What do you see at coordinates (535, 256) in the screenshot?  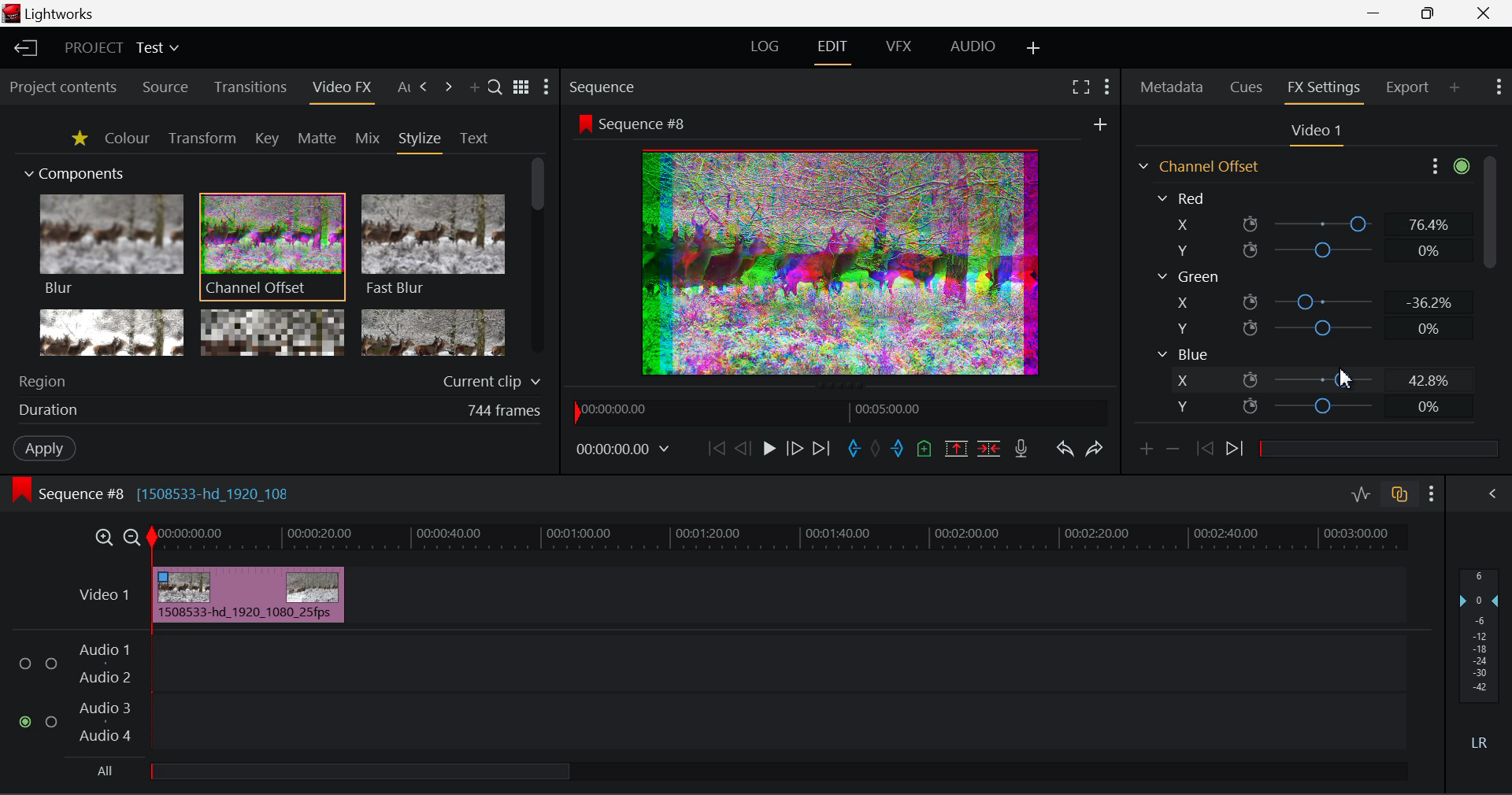 I see `Scroll Bar` at bounding box center [535, 256].